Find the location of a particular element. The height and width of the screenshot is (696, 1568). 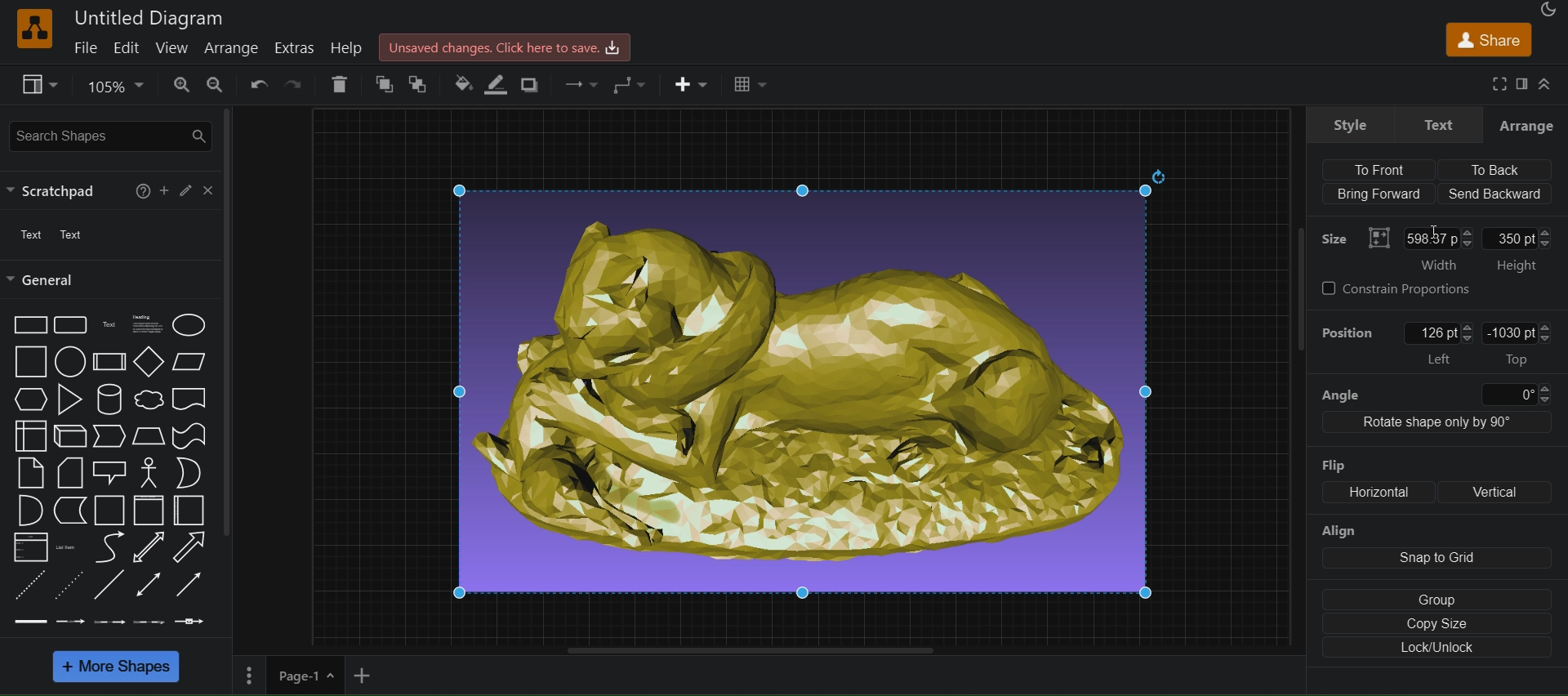

constrain Proportions is located at coordinates (1403, 289).